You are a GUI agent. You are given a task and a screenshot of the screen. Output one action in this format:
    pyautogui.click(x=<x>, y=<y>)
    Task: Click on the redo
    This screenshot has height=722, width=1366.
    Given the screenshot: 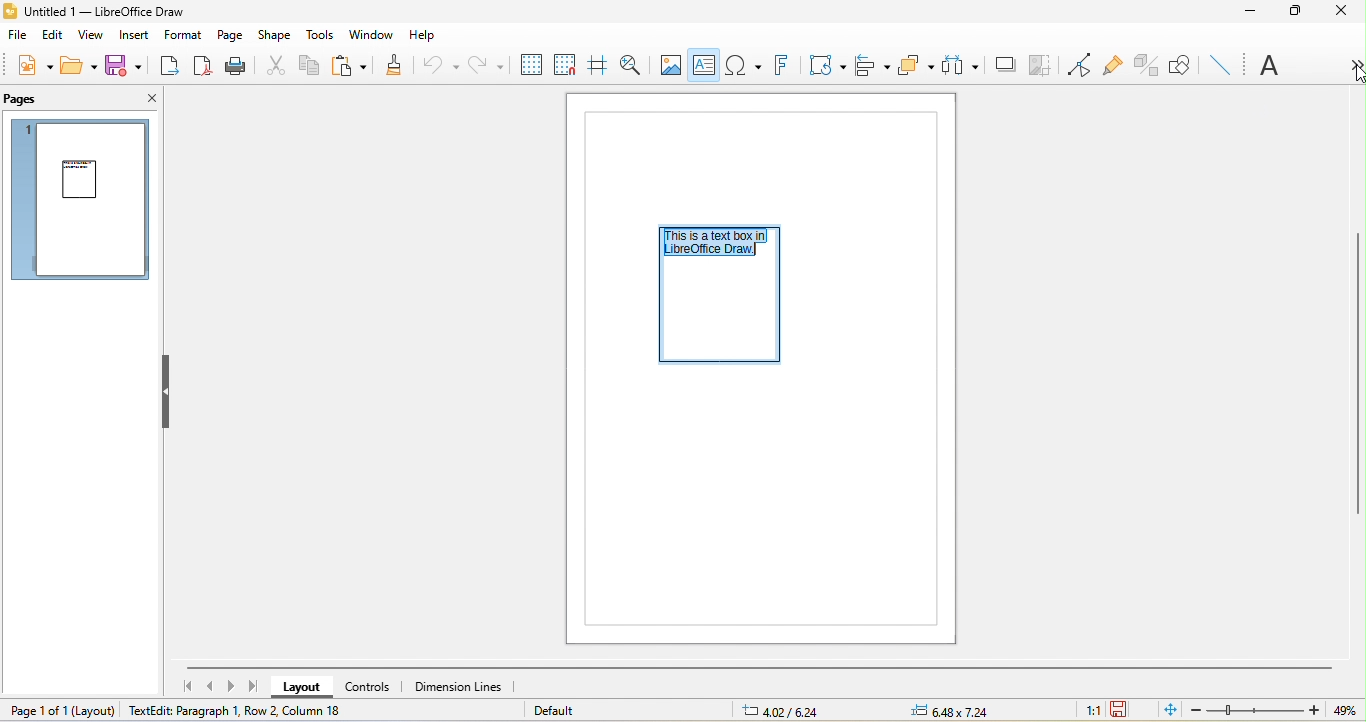 What is the action you would take?
    pyautogui.click(x=488, y=66)
    